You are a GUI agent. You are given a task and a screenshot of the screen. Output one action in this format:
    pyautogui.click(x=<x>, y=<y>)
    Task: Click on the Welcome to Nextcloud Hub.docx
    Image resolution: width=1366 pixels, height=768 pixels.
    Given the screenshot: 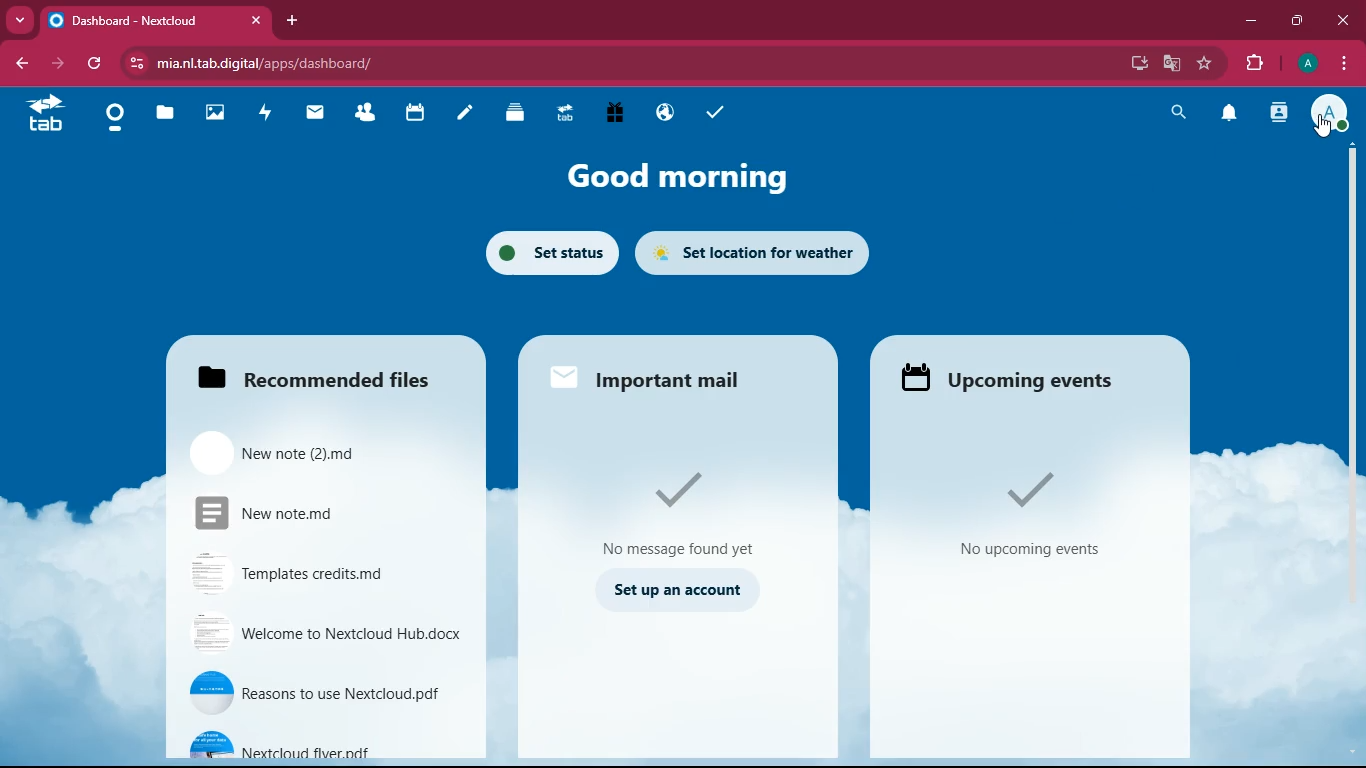 What is the action you would take?
    pyautogui.click(x=328, y=636)
    